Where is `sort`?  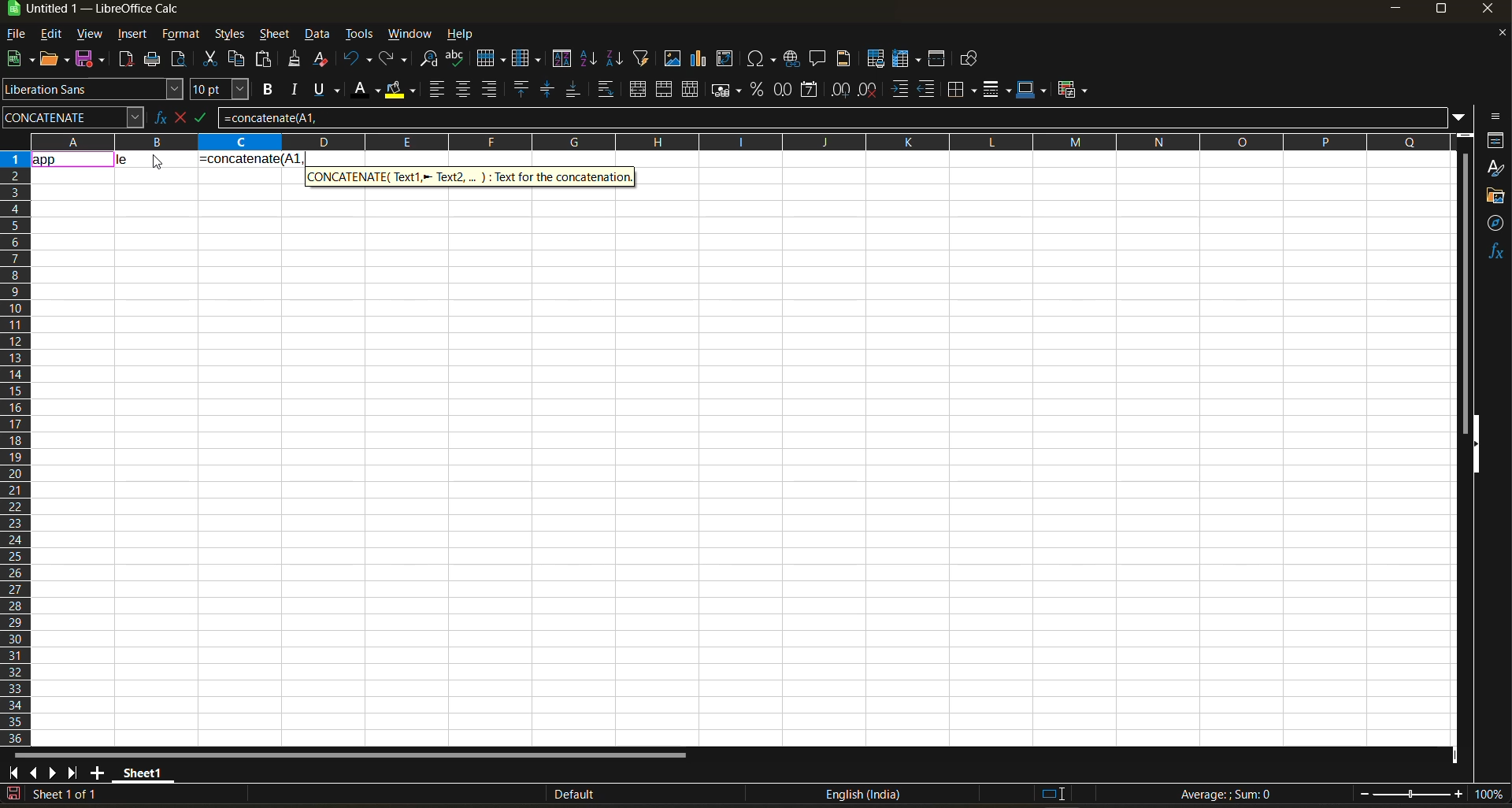 sort is located at coordinates (565, 59).